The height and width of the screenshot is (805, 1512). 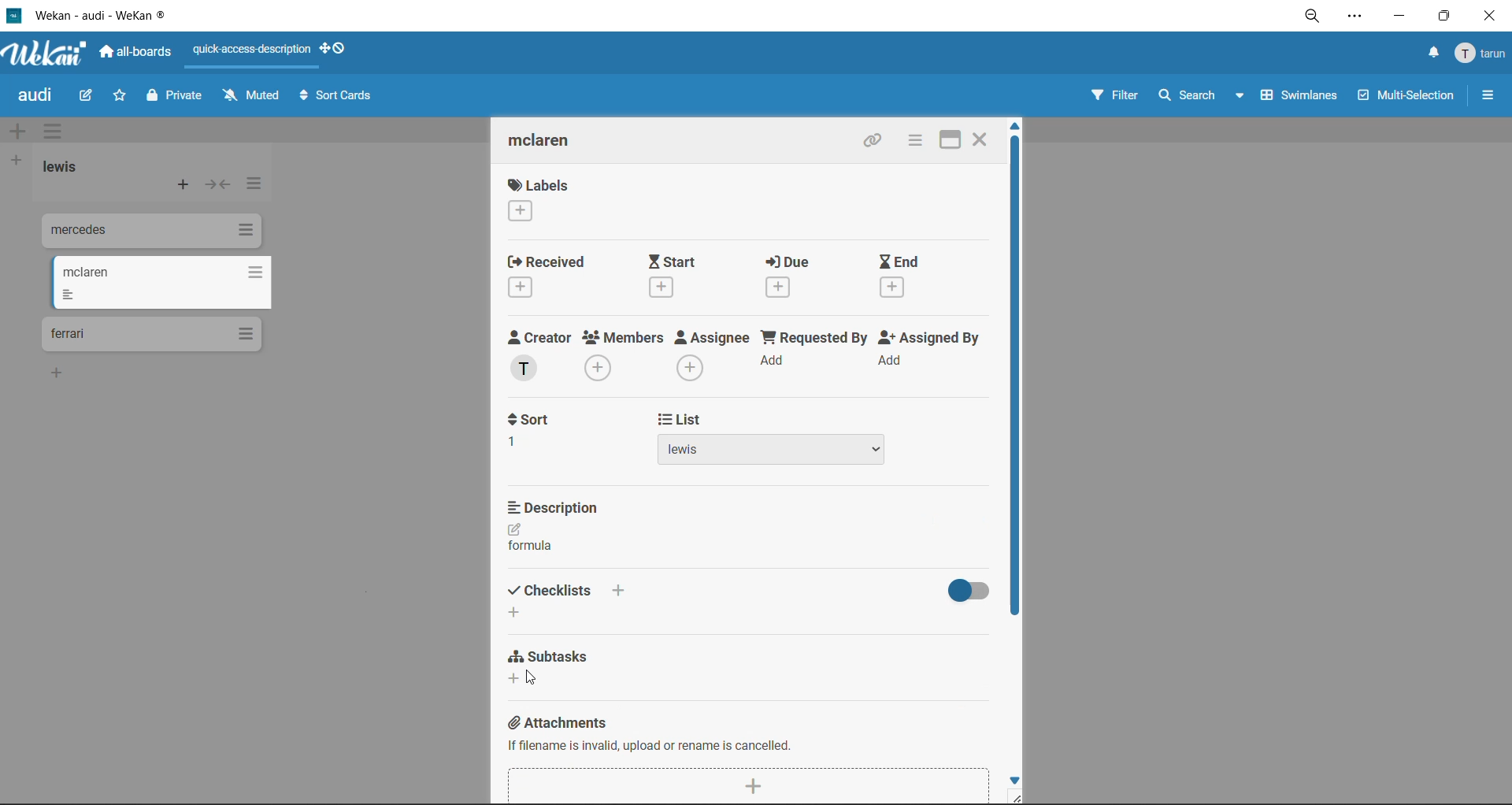 I want to click on description, so click(x=561, y=507).